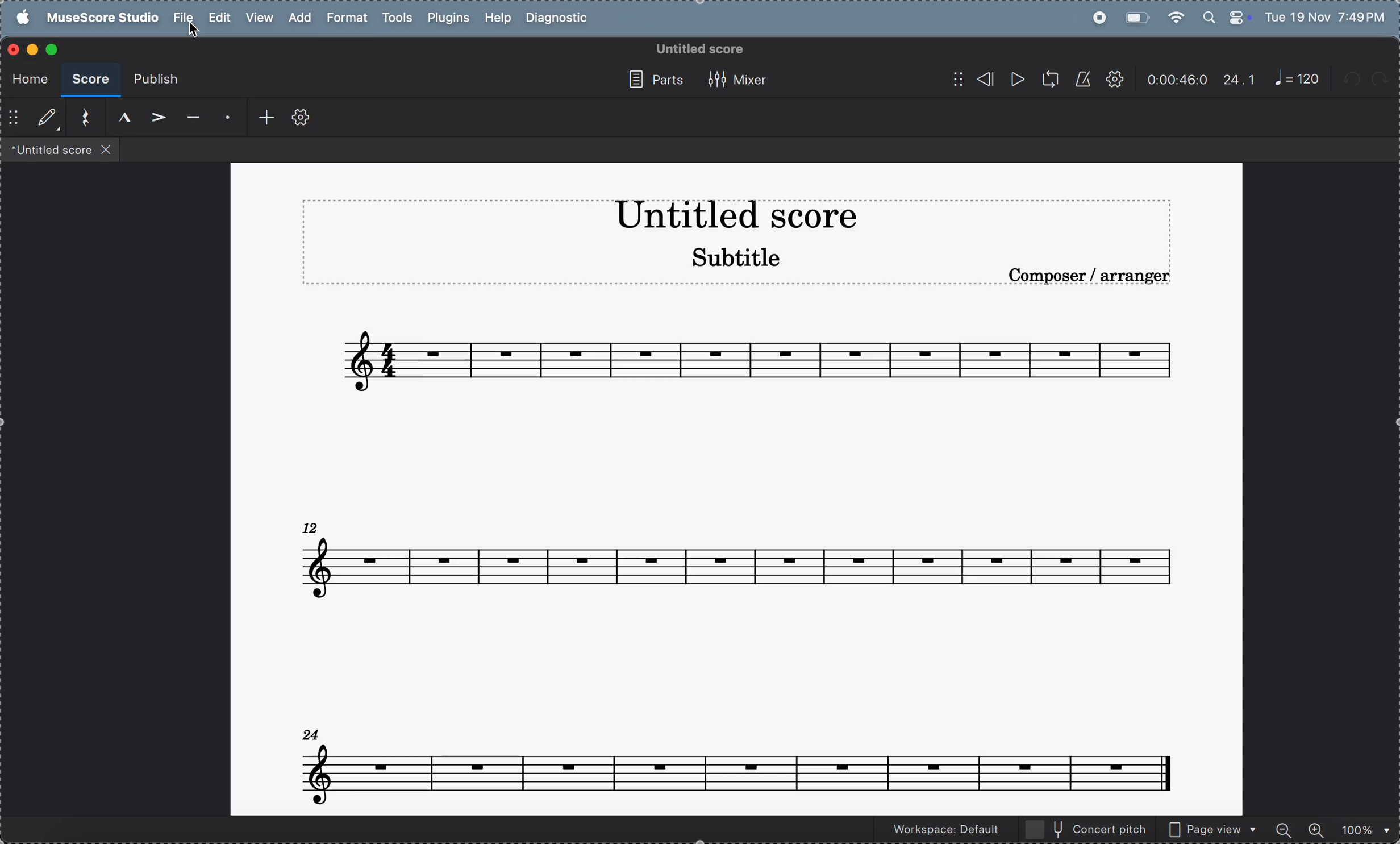  Describe the element at coordinates (1016, 81) in the screenshot. I see `play` at that location.